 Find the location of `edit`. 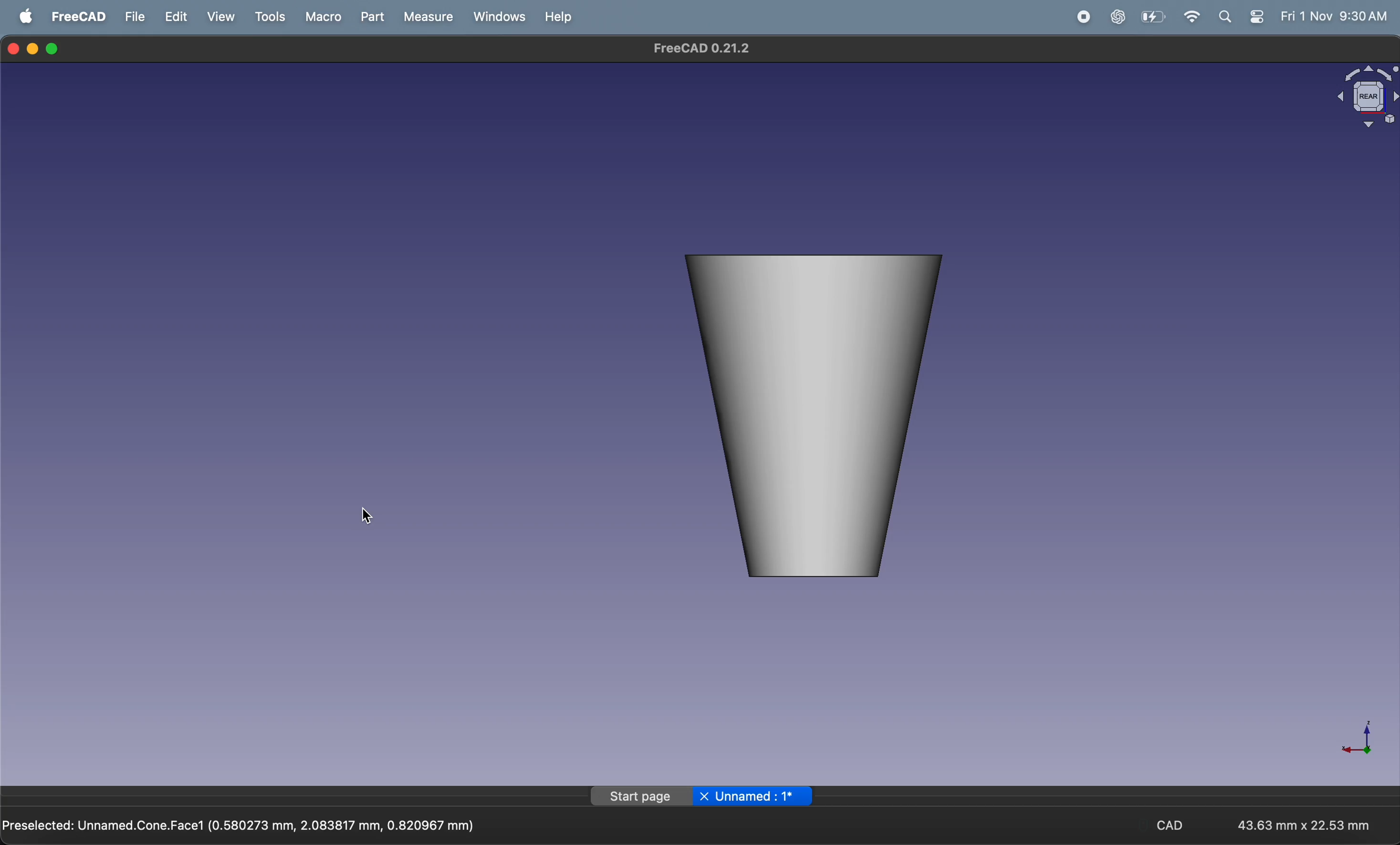

edit is located at coordinates (179, 16).